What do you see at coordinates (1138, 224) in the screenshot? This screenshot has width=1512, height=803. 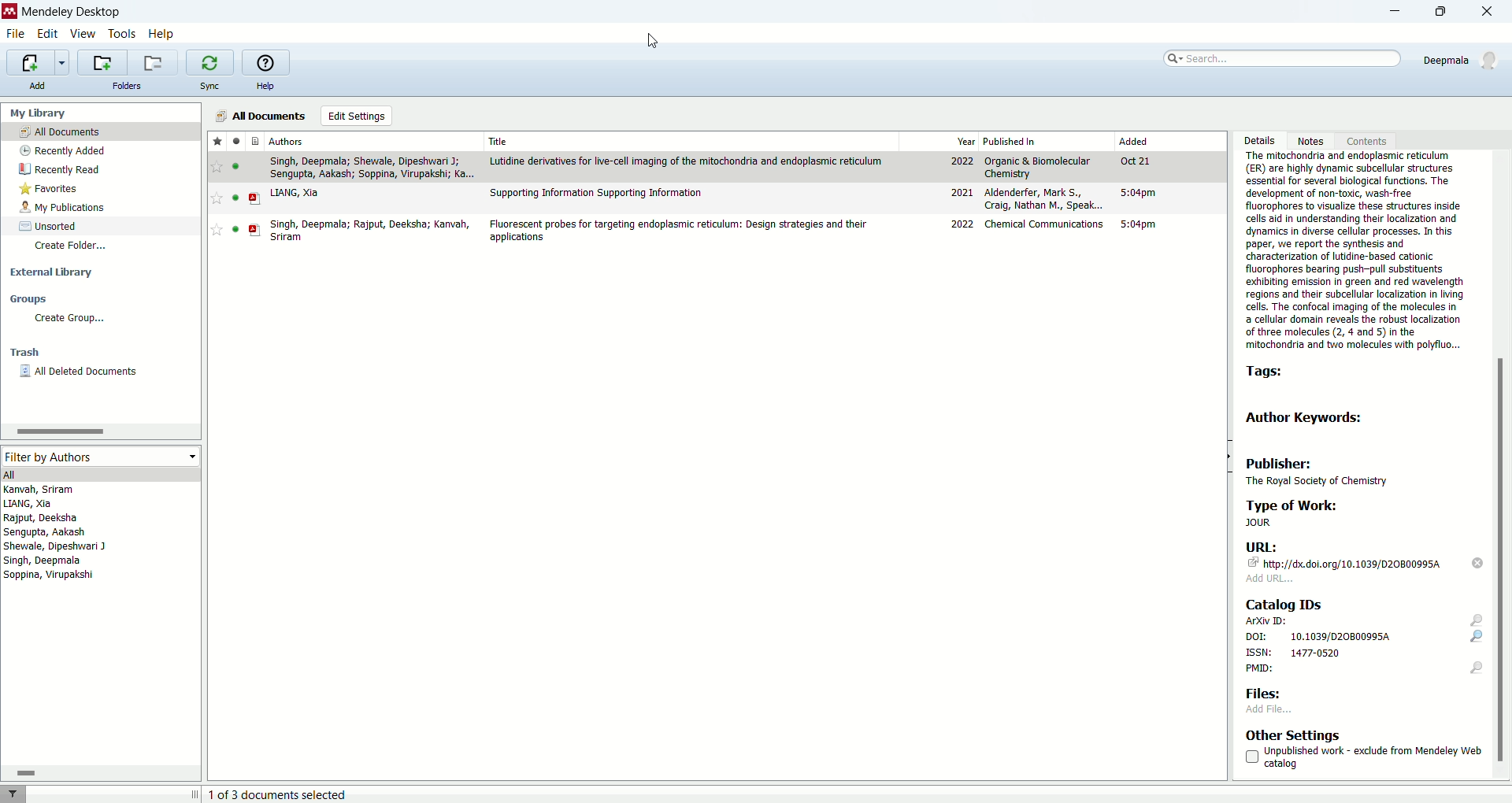 I see `5:04pm` at bounding box center [1138, 224].